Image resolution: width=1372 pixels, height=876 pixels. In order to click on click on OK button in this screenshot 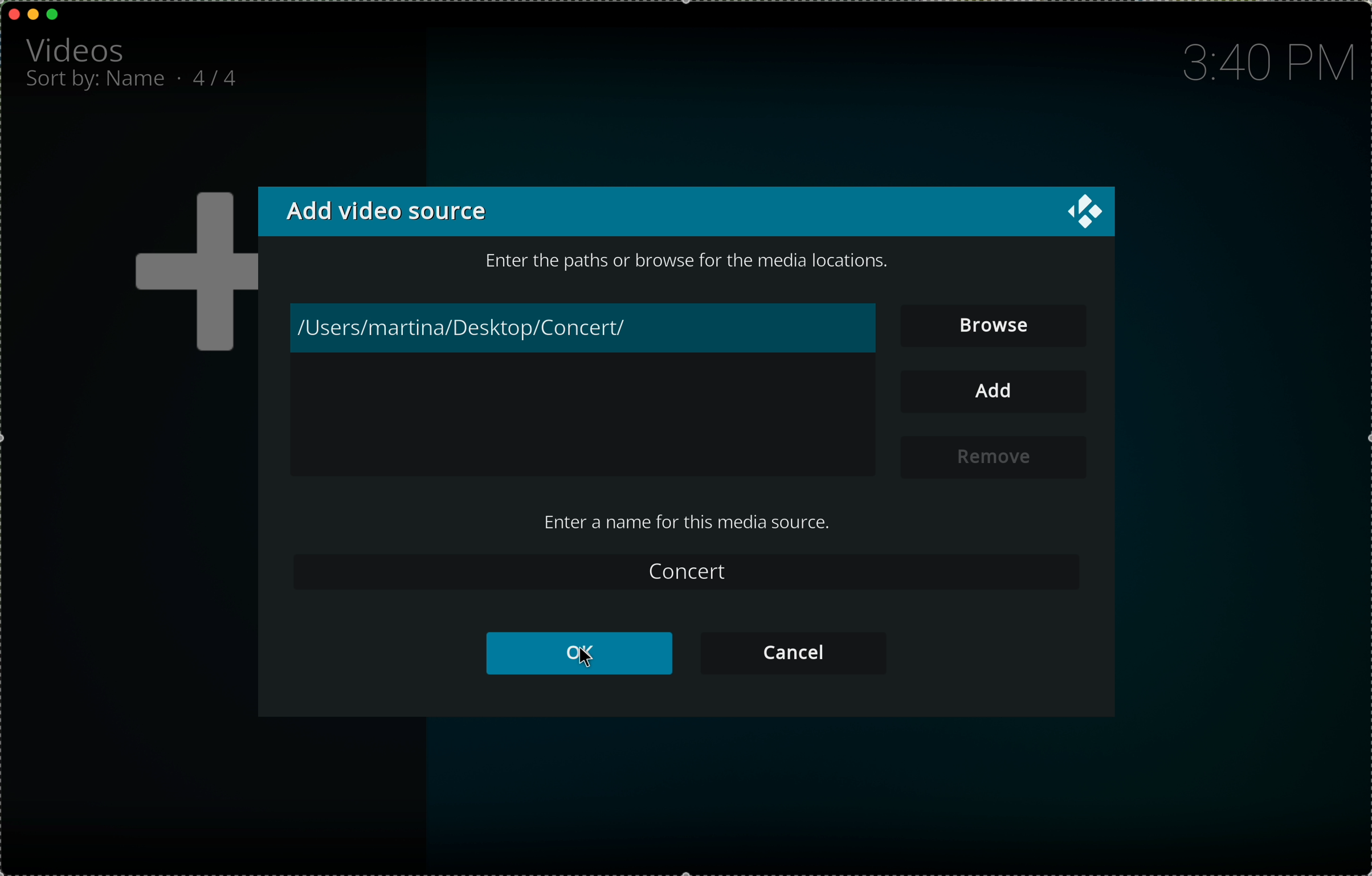, I will do `click(578, 653)`.